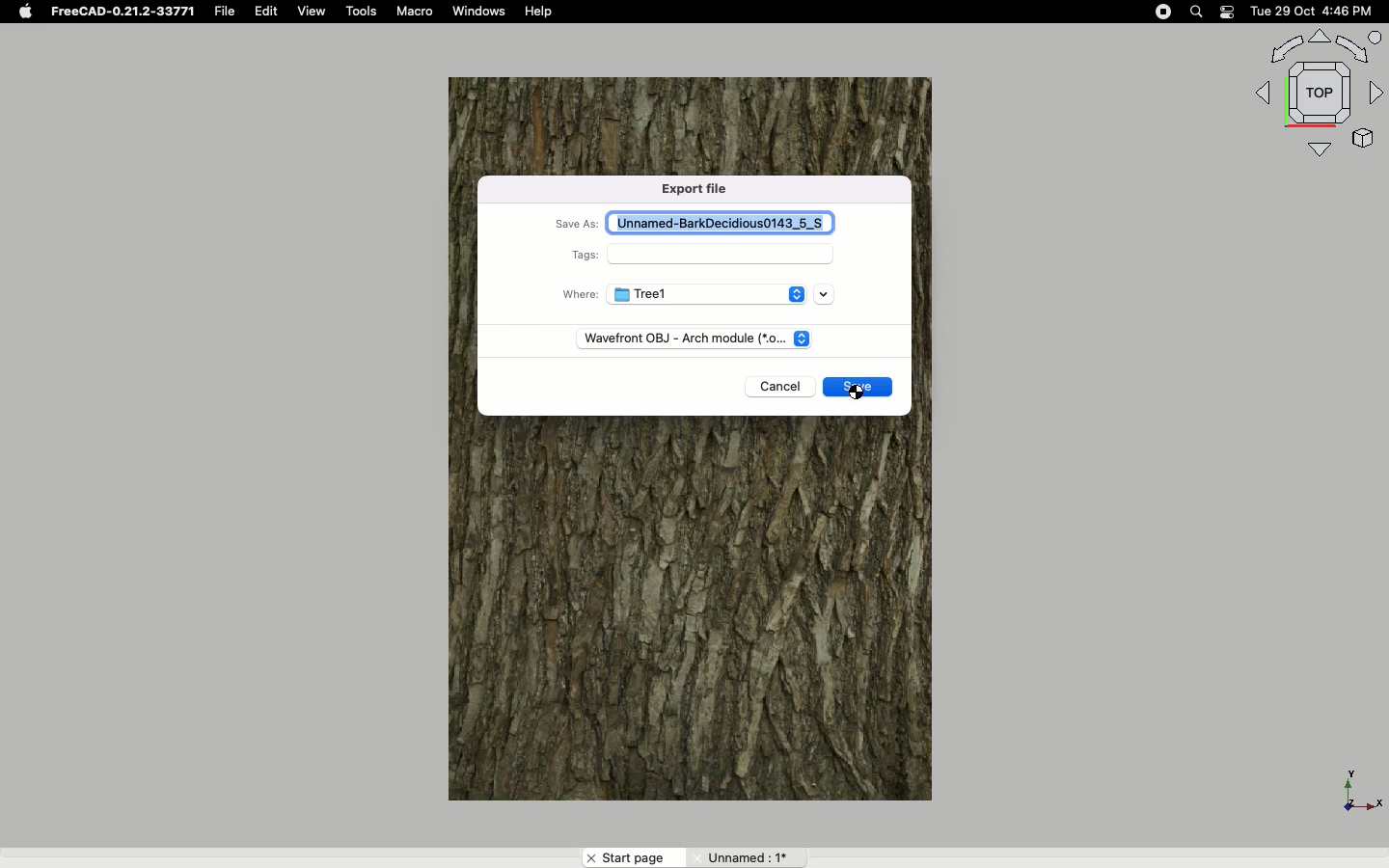  What do you see at coordinates (746, 856) in the screenshot?
I see `Unhighlighted` at bounding box center [746, 856].